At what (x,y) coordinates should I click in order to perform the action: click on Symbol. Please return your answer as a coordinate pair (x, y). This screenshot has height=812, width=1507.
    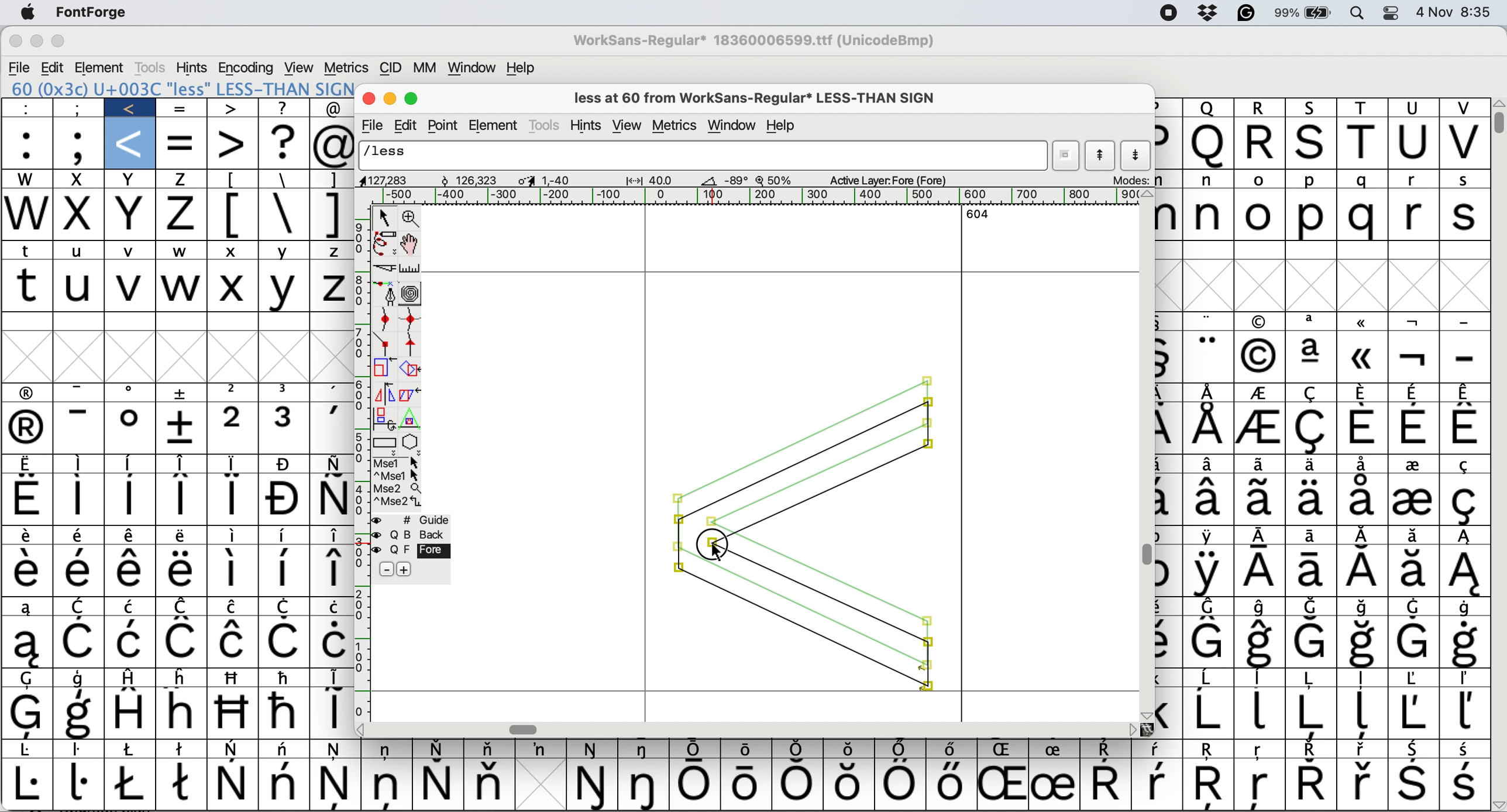
    Looking at the image, I should click on (1412, 679).